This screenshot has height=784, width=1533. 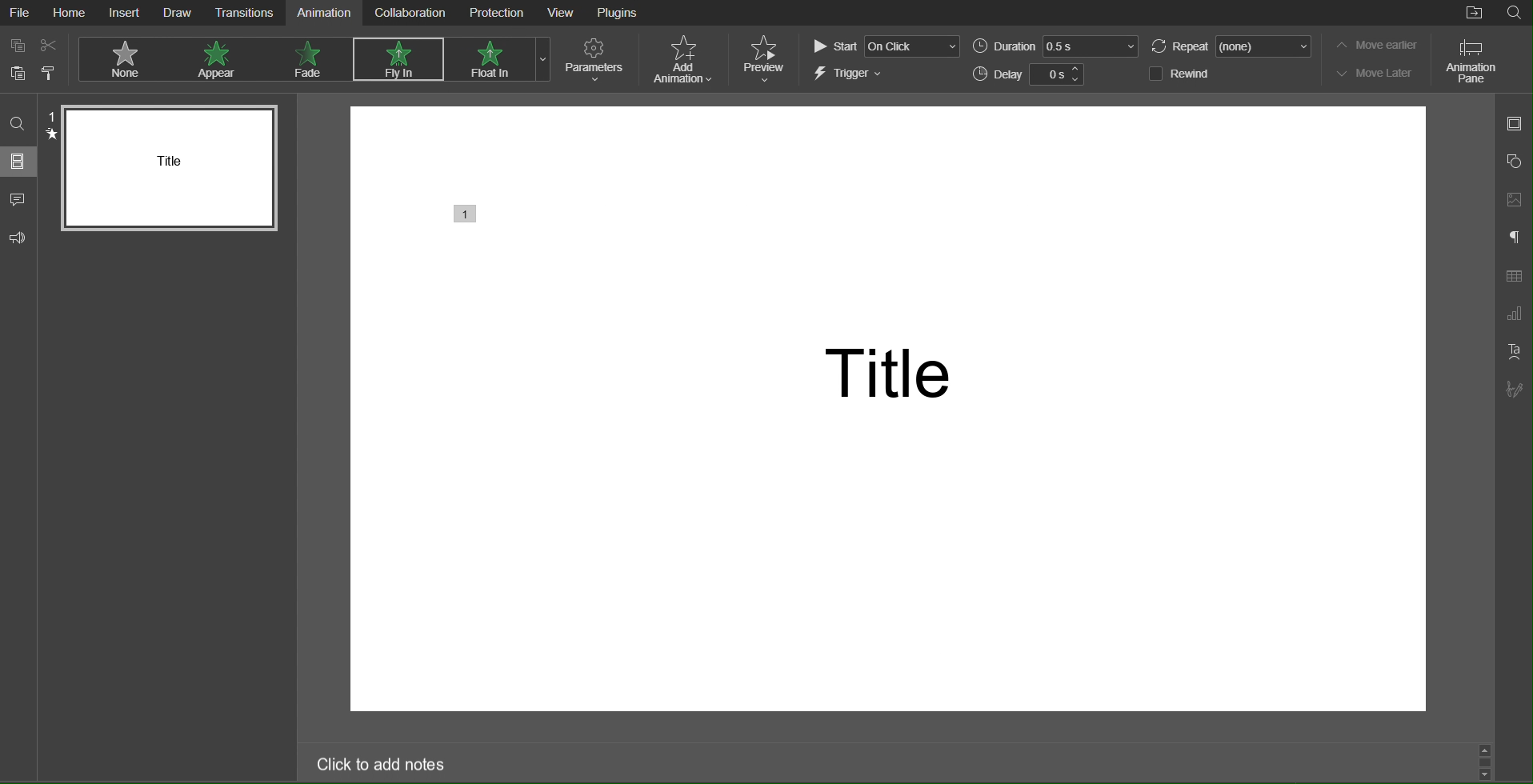 I want to click on Animation, so click(x=324, y=12).